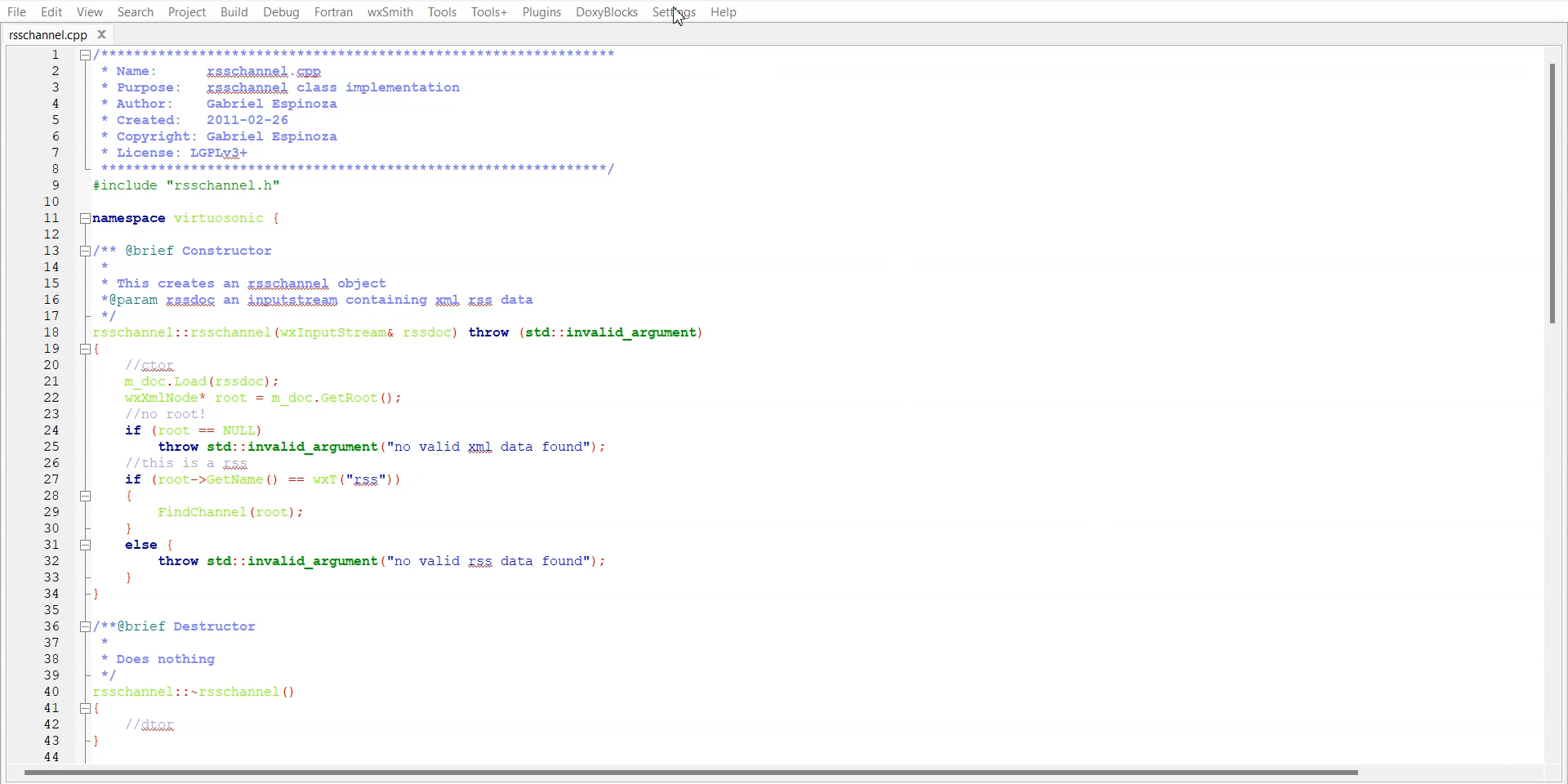 Image resolution: width=1568 pixels, height=784 pixels. What do you see at coordinates (442, 11) in the screenshot?
I see `Tools` at bounding box center [442, 11].